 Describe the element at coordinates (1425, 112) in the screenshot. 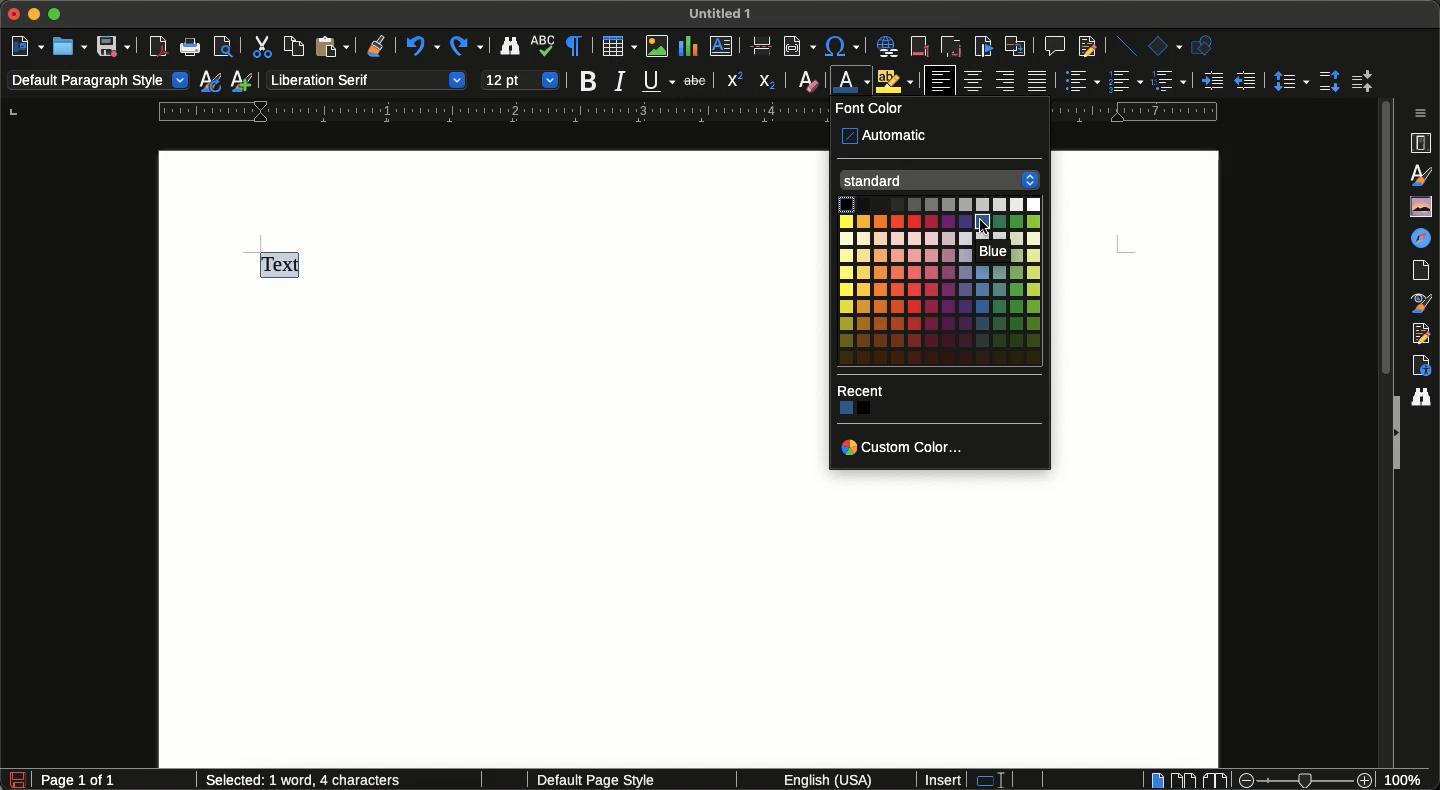

I see `Sidebar settings` at that location.